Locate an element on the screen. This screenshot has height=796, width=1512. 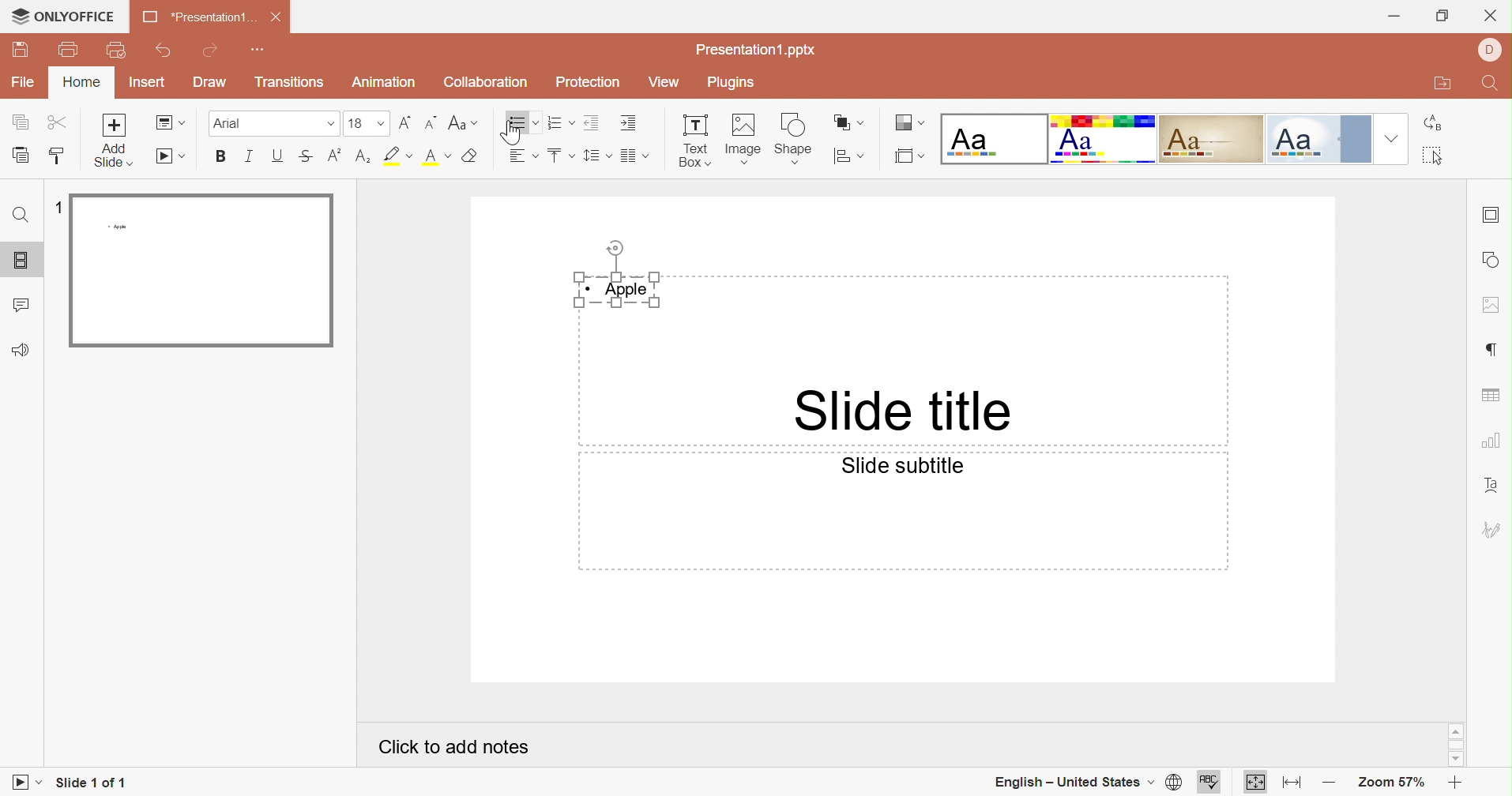
Official is located at coordinates (1318, 138).